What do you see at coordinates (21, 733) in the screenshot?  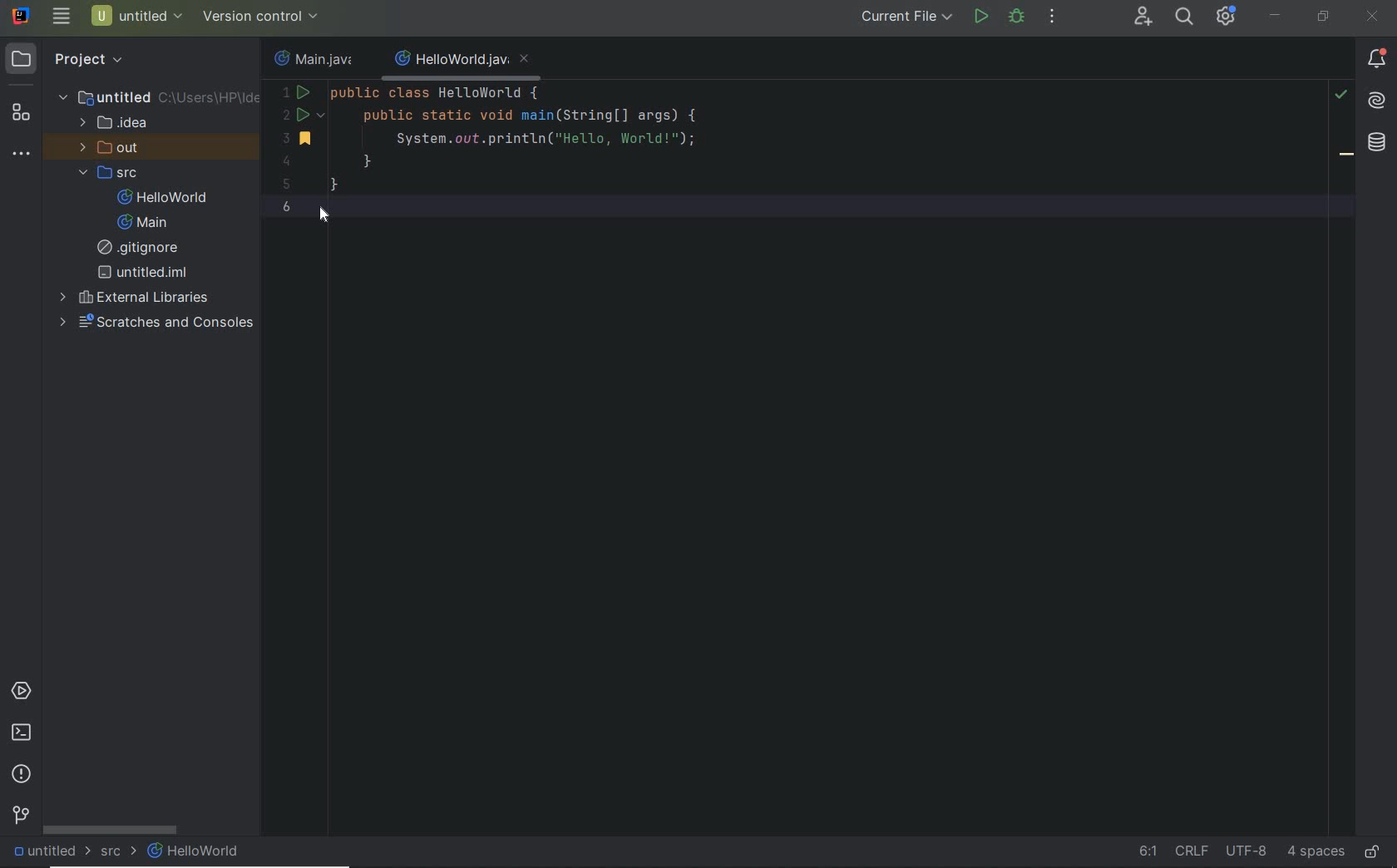 I see `terminal` at bounding box center [21, 733].